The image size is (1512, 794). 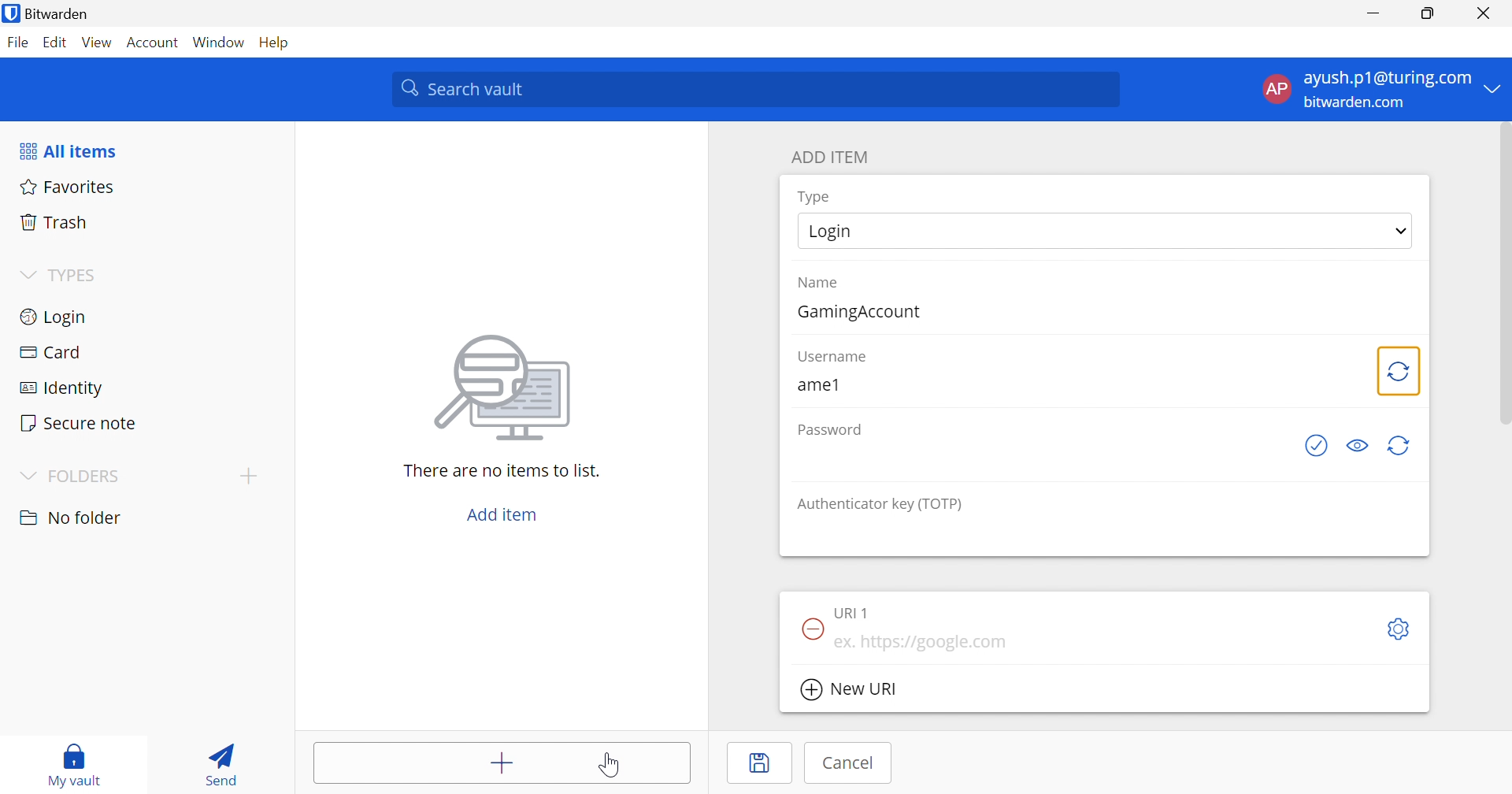 I want to click on Drop Down, so click(x=1497, y=87).